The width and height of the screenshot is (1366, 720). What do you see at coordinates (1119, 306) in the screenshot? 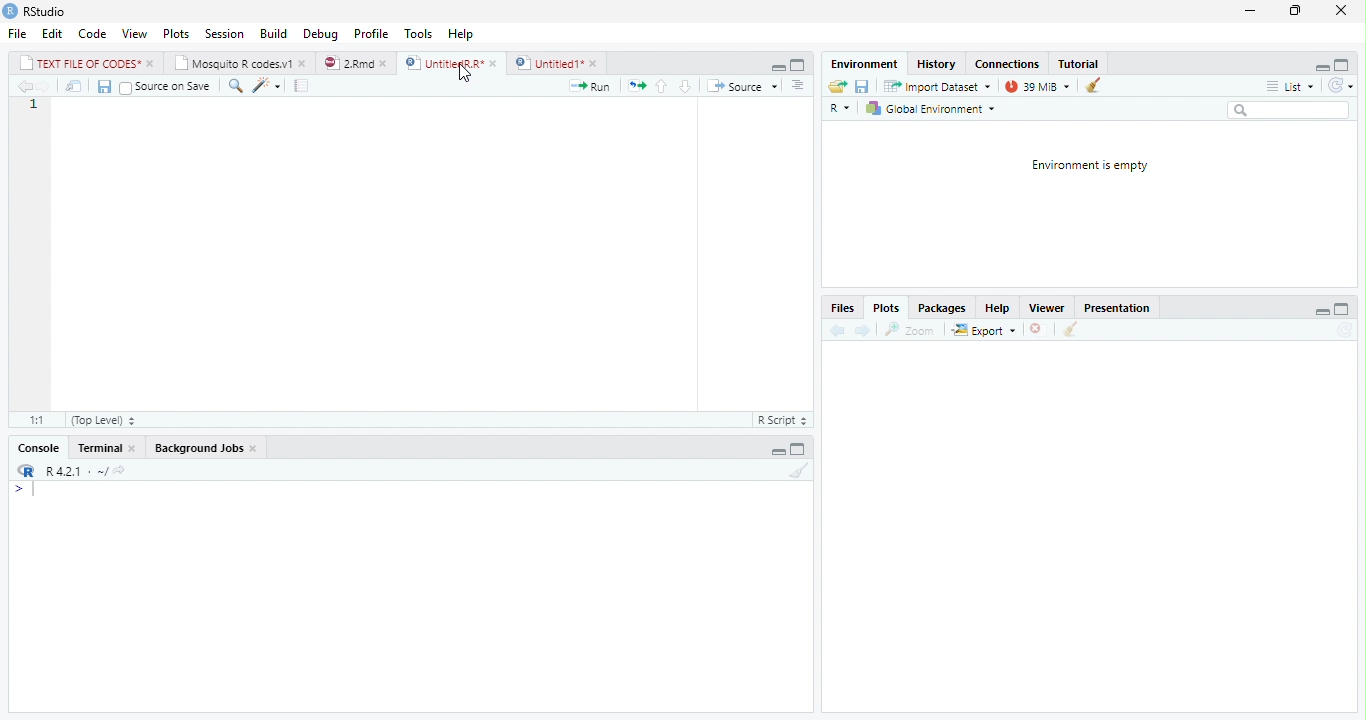
I see `Presentation` at bounding box center [1119, 306].